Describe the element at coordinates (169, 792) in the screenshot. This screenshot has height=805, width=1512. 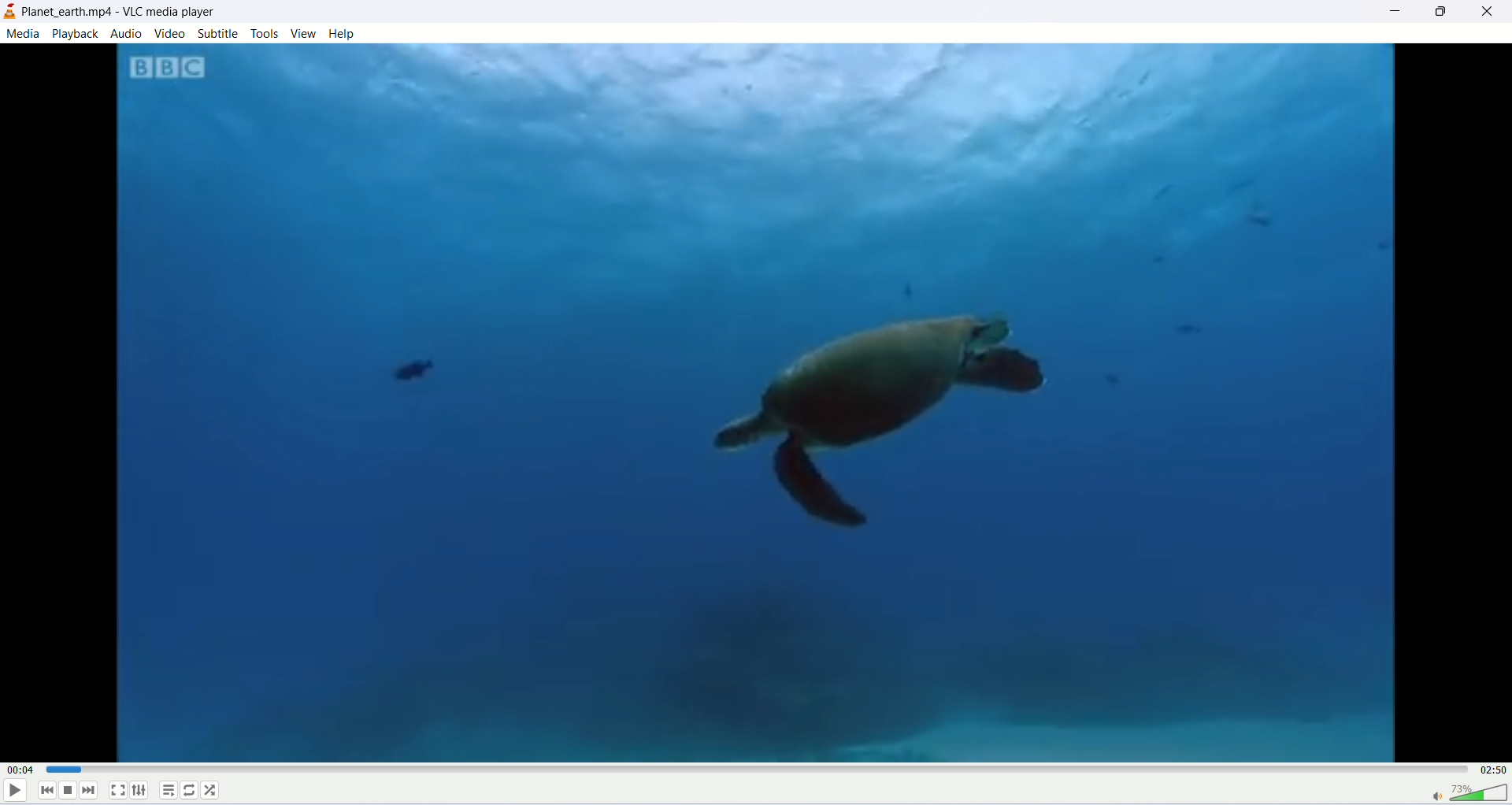
I see `playlist` at that location.